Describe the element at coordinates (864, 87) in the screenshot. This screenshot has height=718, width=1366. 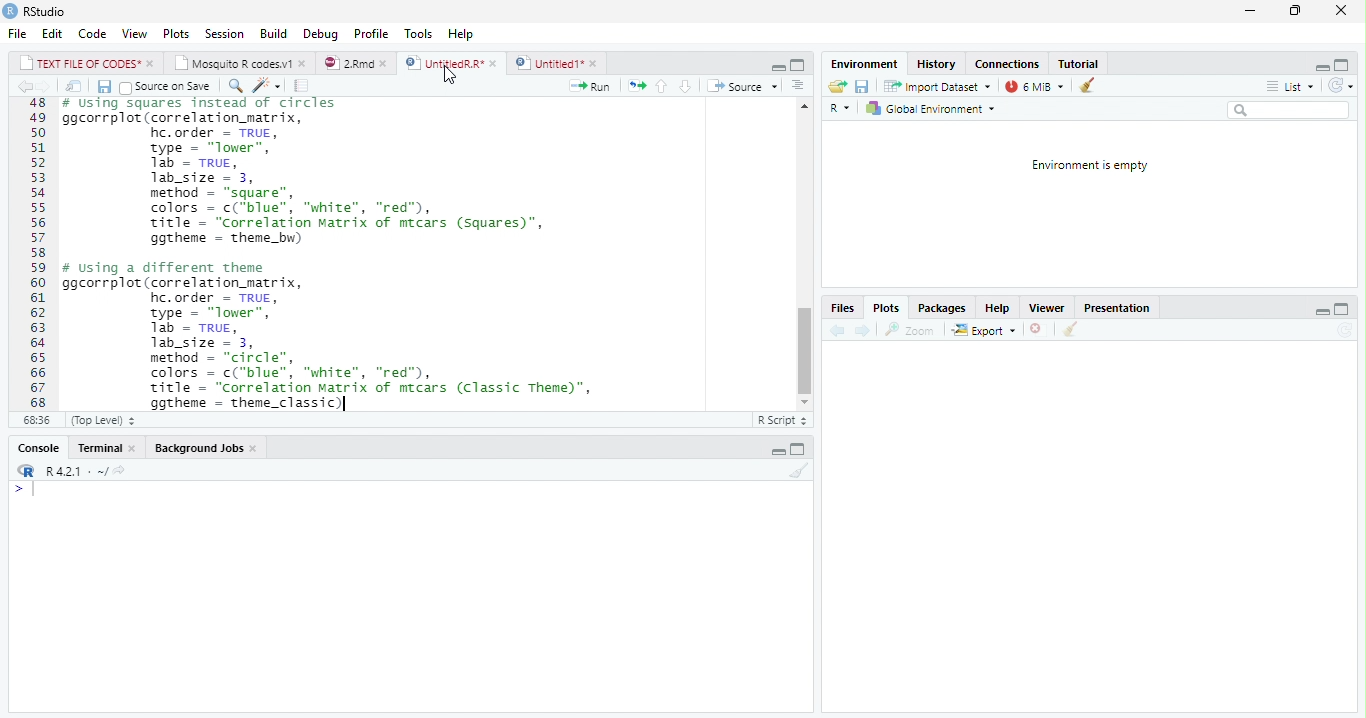
I see `save` at that location.